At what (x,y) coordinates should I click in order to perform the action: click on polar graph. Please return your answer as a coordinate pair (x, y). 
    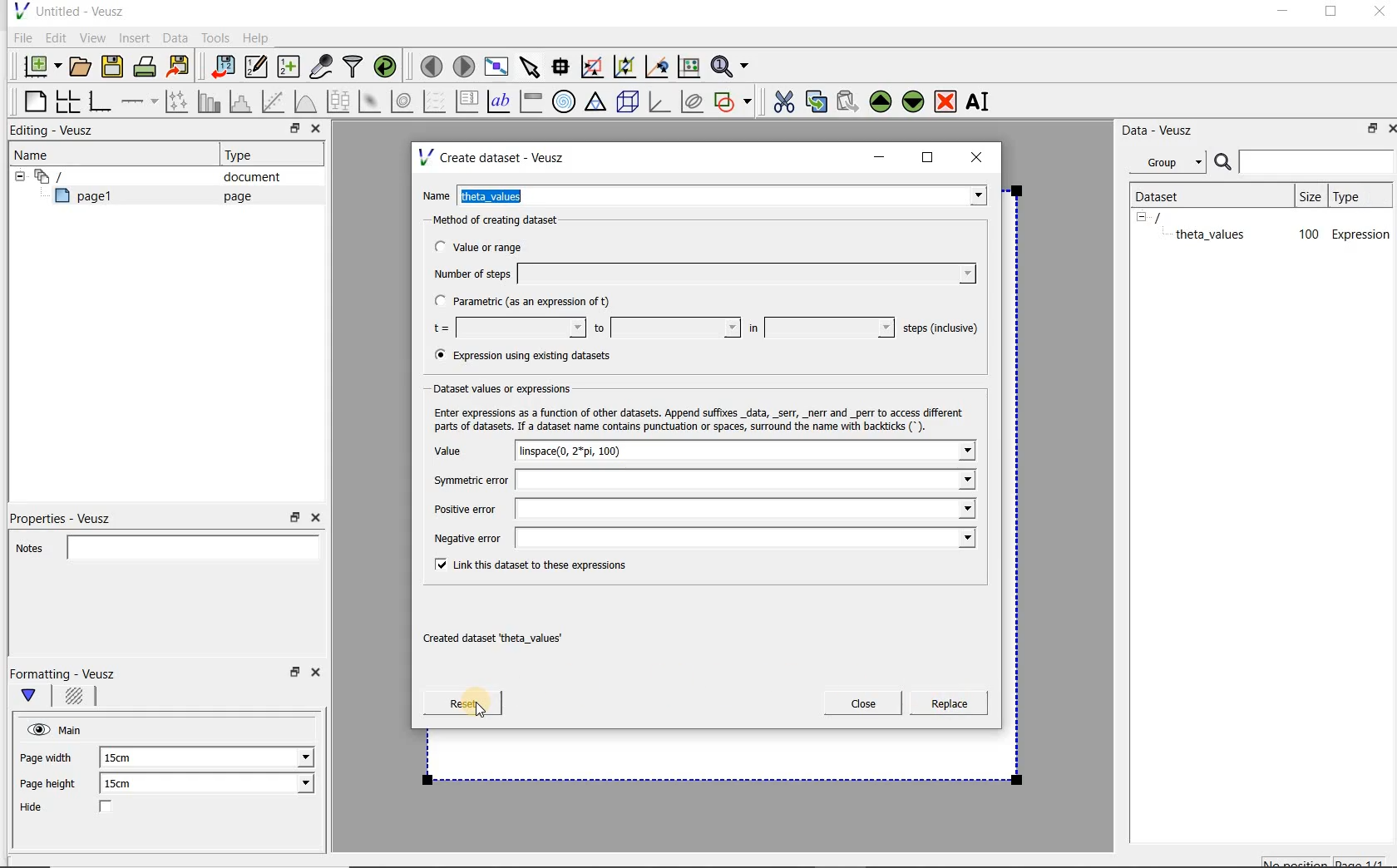
    Looking at the image, I should click on (565, 101).